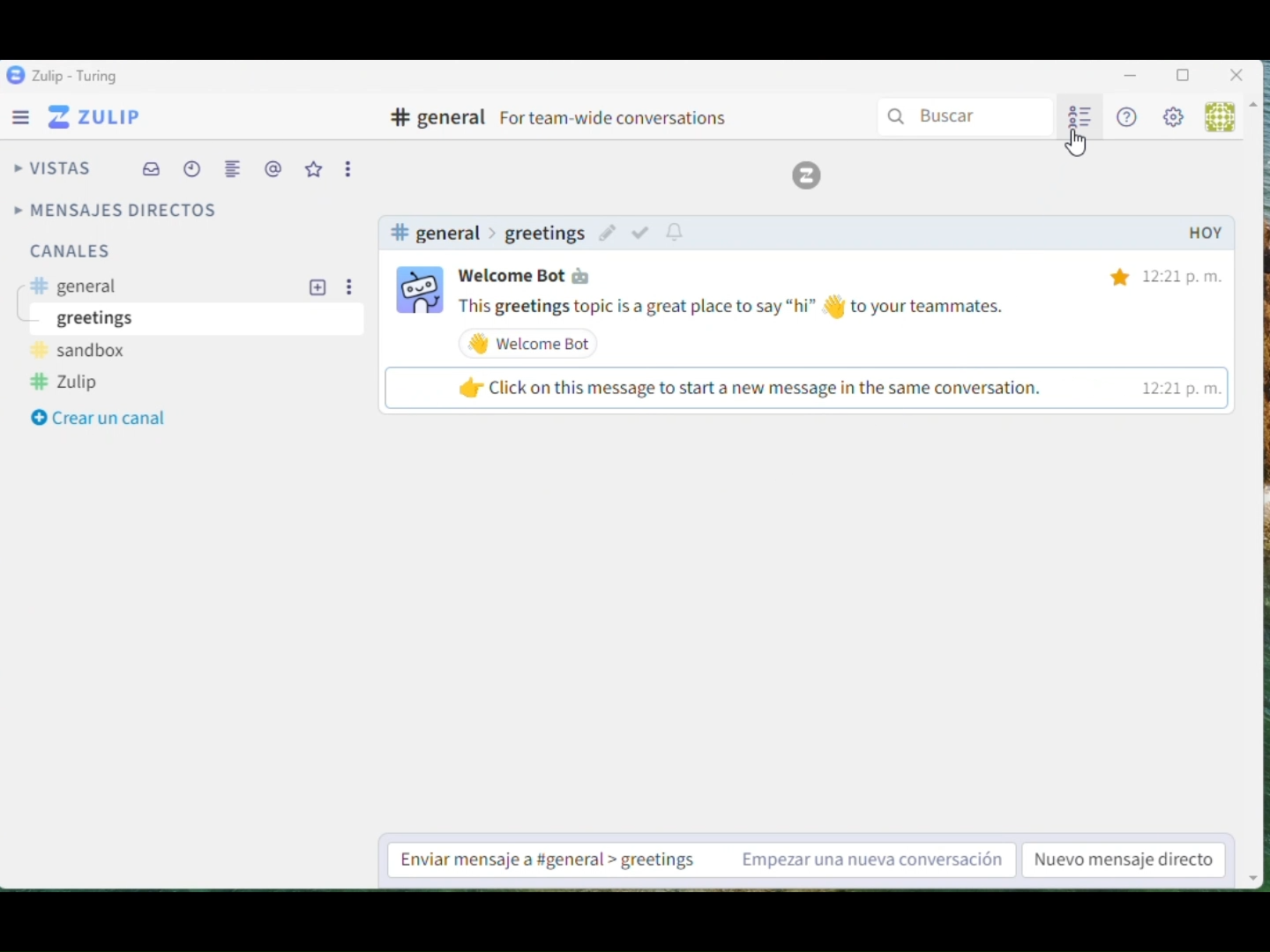 This screenshot has height=952, width=1270. I want to click on Minimize, so click(1131, 73).